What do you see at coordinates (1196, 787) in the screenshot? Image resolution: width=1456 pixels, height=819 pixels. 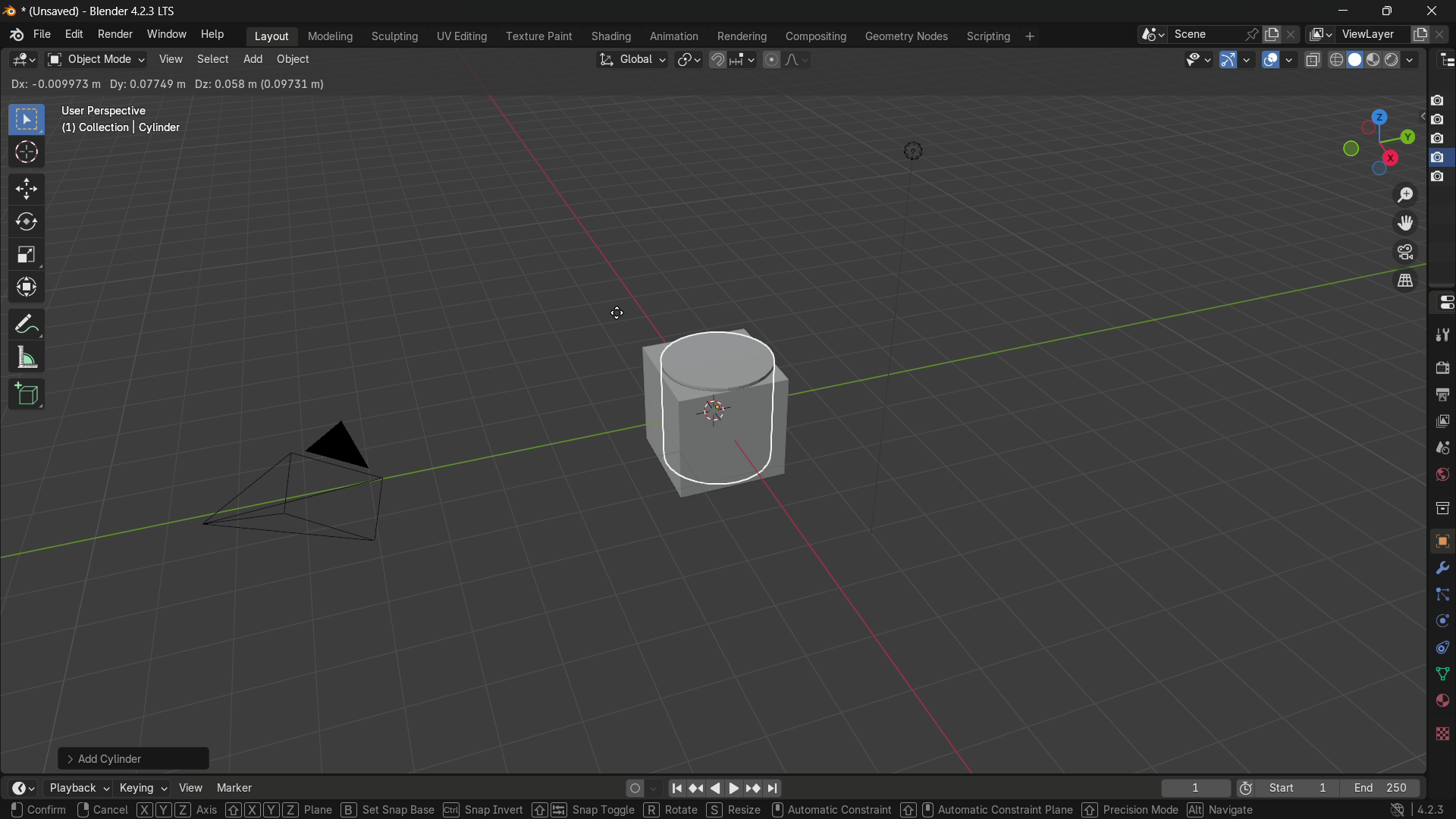 I see `current frame` at bounding box center [1196, 787].